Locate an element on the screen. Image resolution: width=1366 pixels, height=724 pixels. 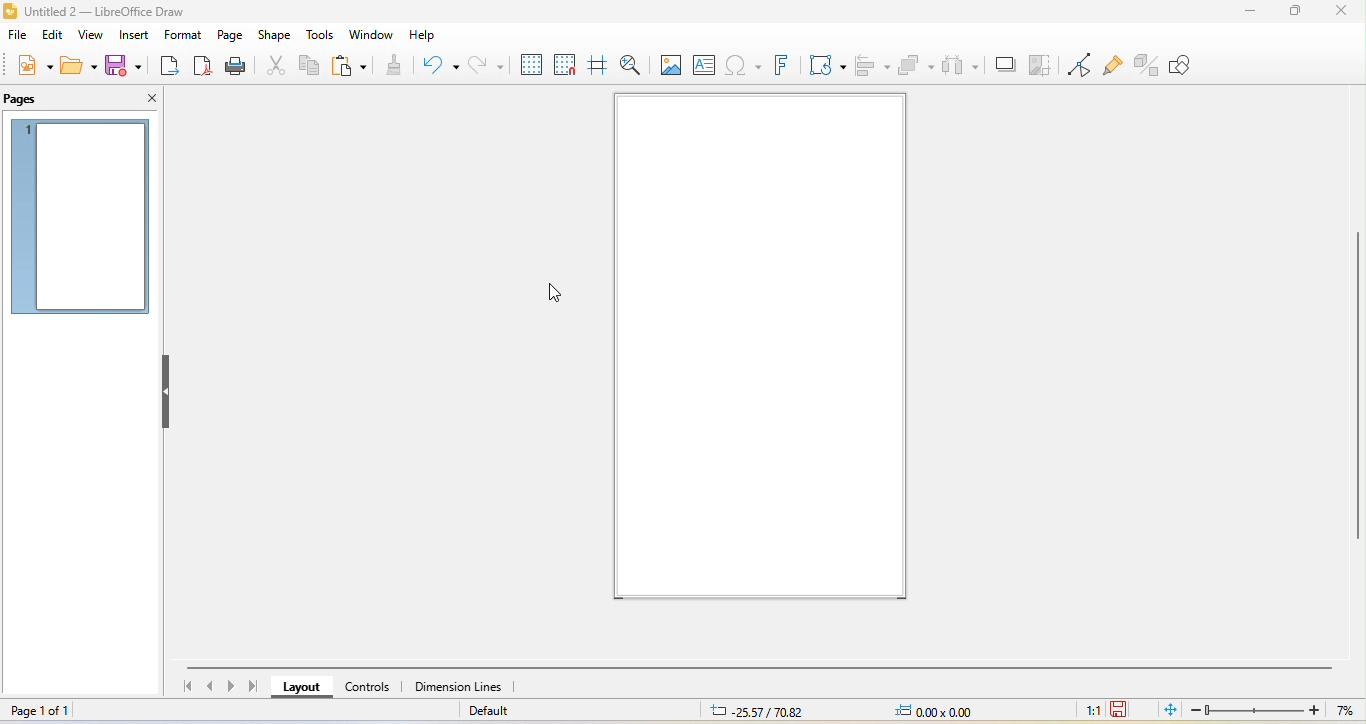
fontwork text is located at coordinates (788, 65).